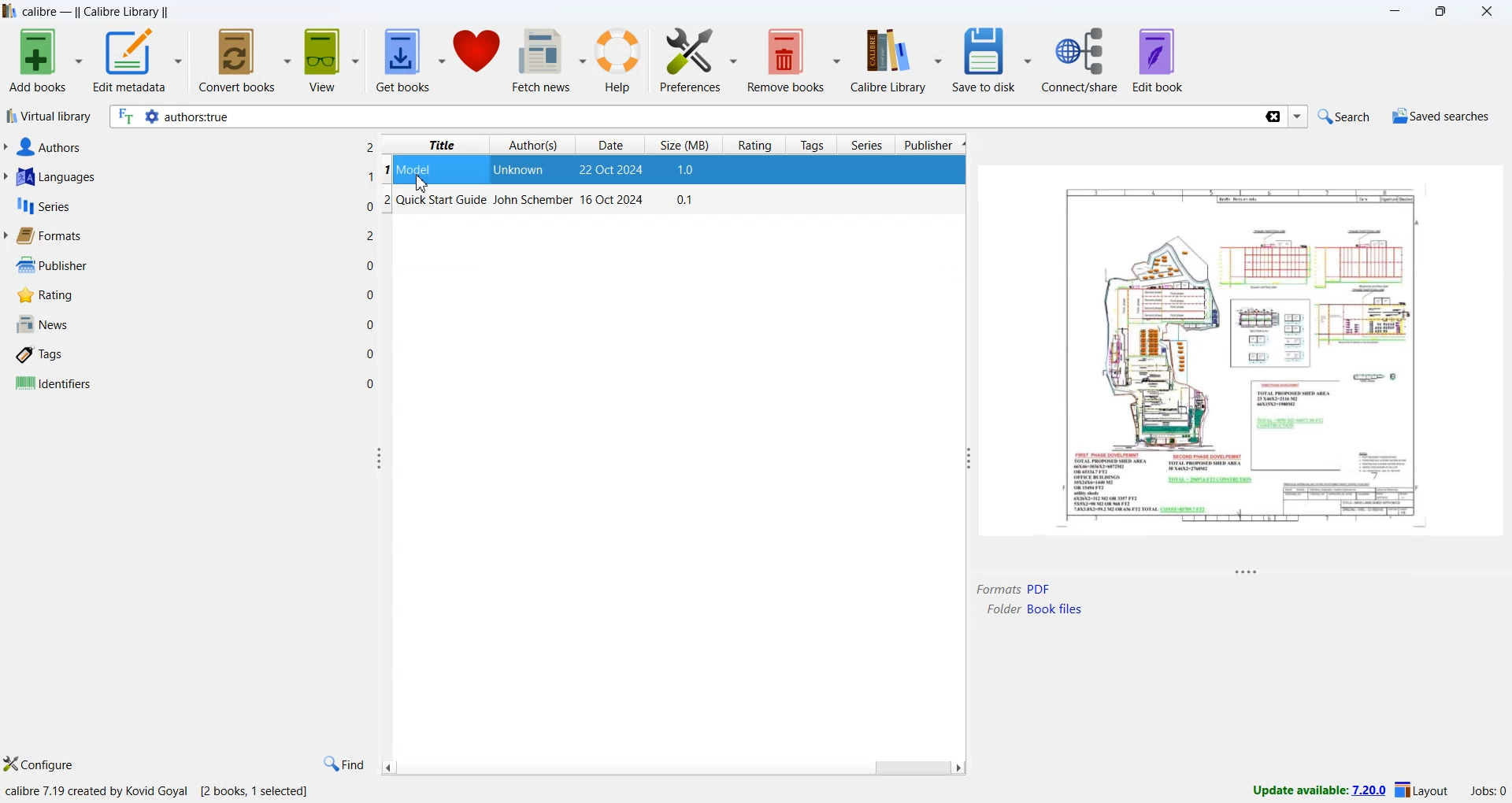 This screenshot has height=803, width=1512. I want to click on virtual library, so click(48, 118).